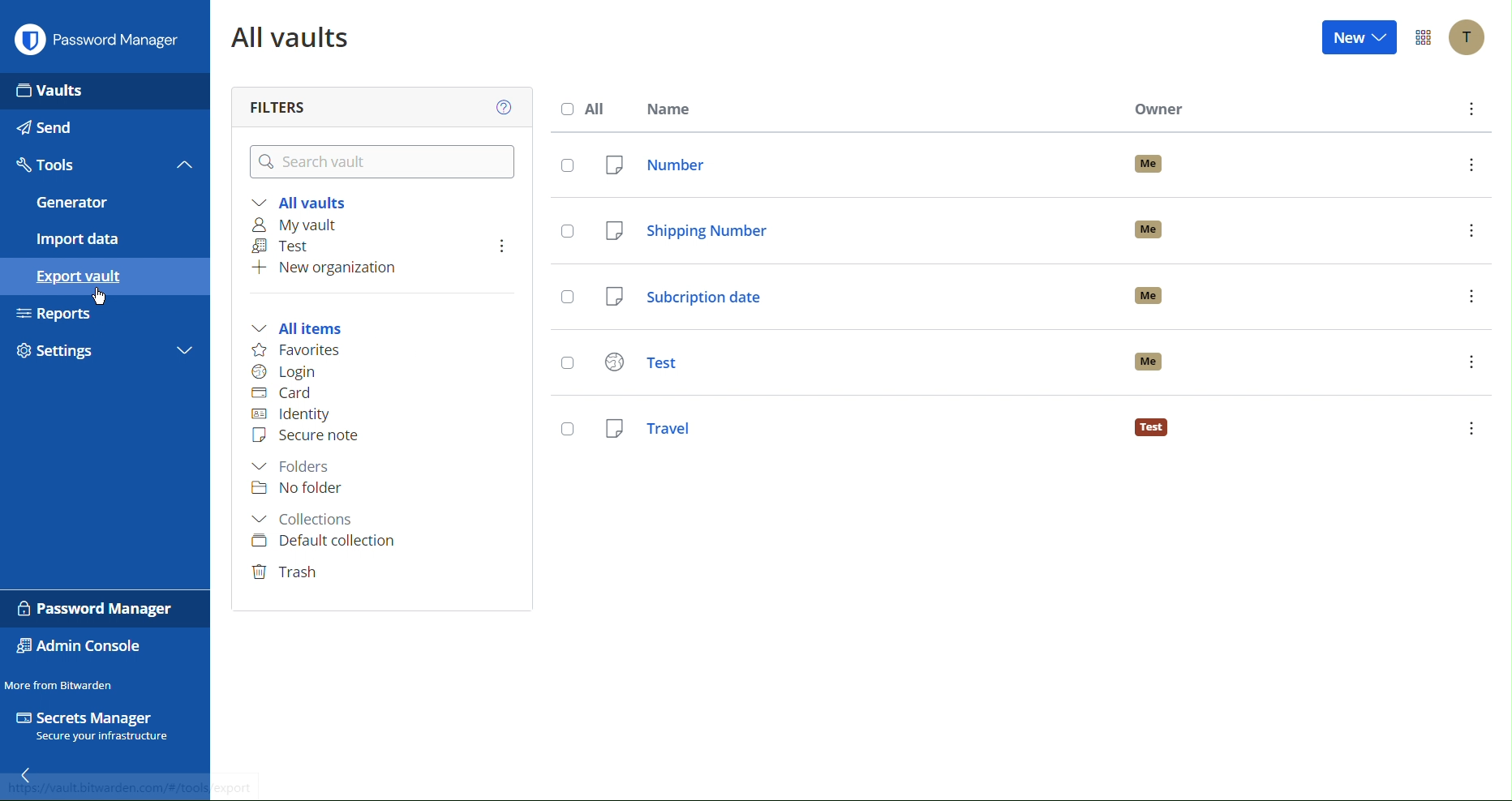 The width and height of the screenshot is (1512, 801). I want to click on Close tools, so click(186, 165).